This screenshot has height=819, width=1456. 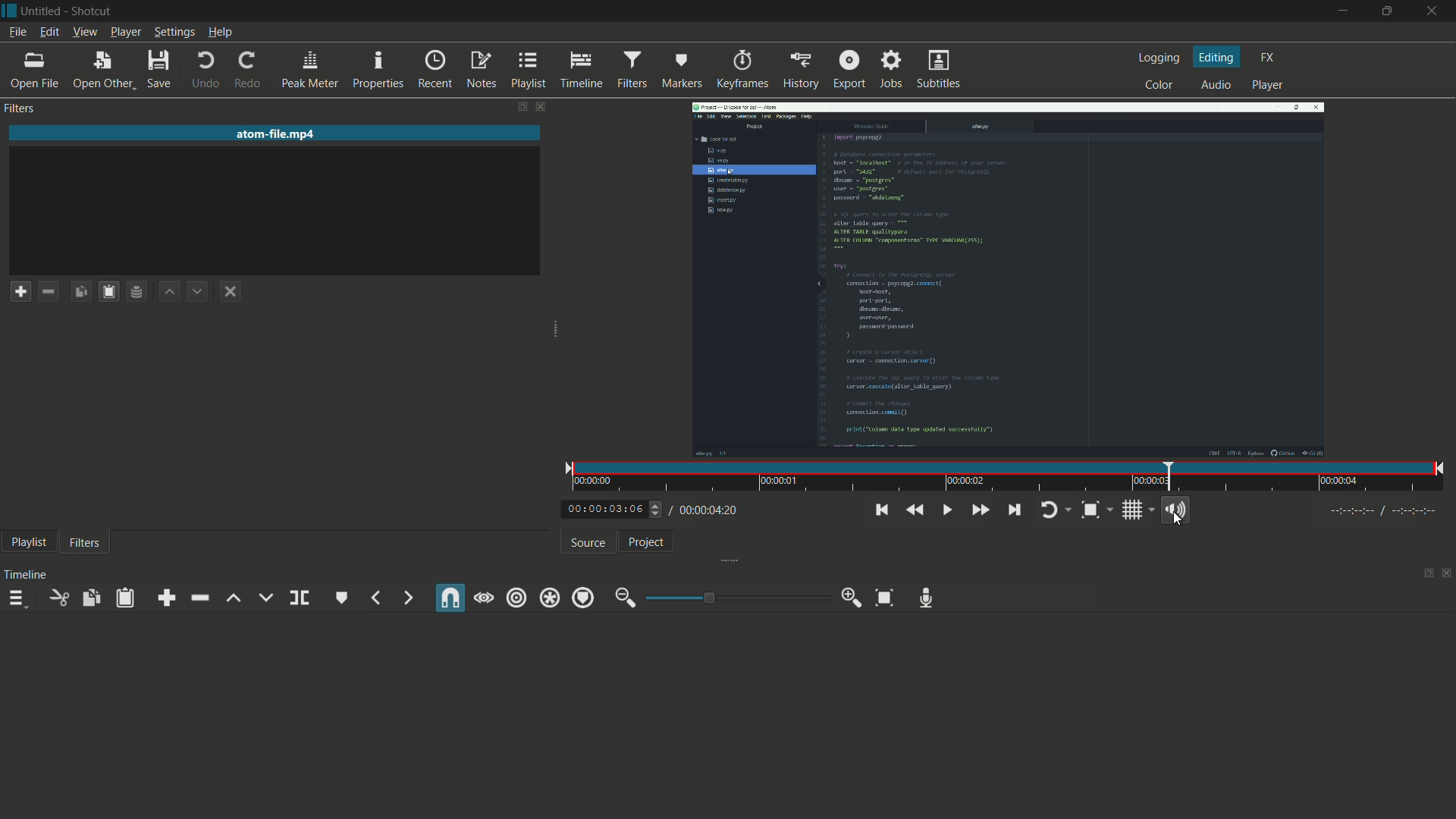 What do you see at coordinates (165, 598) in the screenshot?
I see `append` at bounding box center [165, 598].